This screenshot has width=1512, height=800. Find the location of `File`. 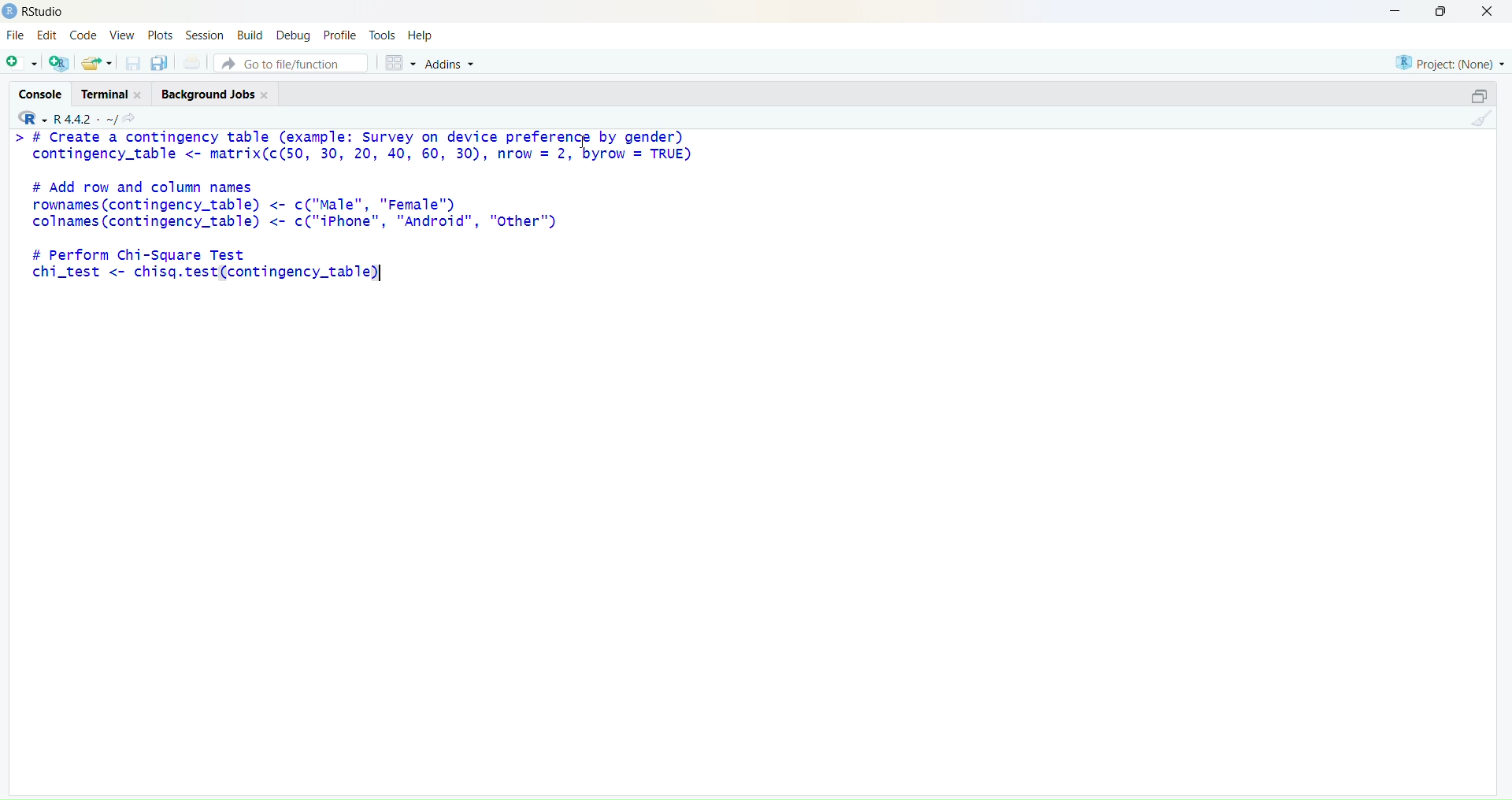

File is located at coordinates (17, 35).